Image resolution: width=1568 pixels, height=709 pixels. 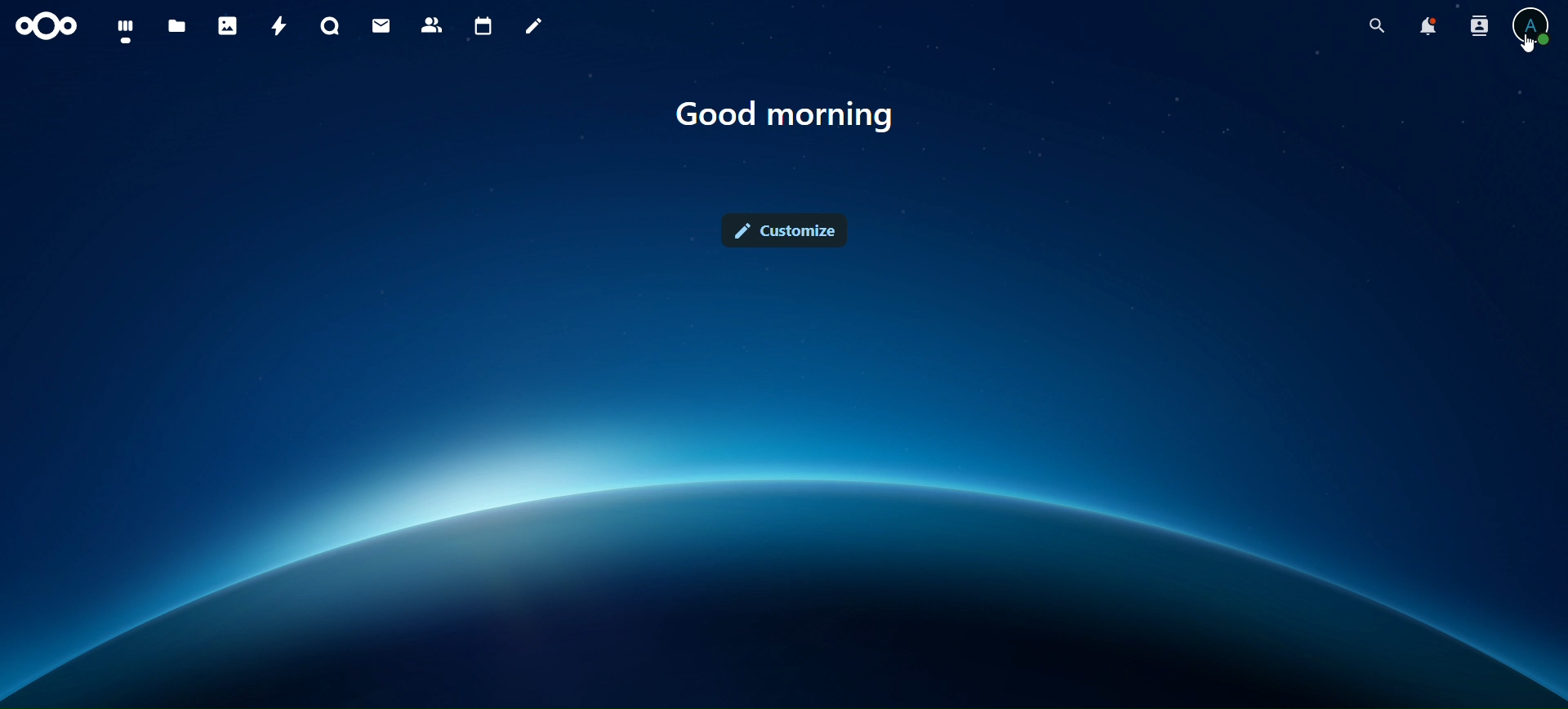 I want to click on files, so click(x=180, y=27).